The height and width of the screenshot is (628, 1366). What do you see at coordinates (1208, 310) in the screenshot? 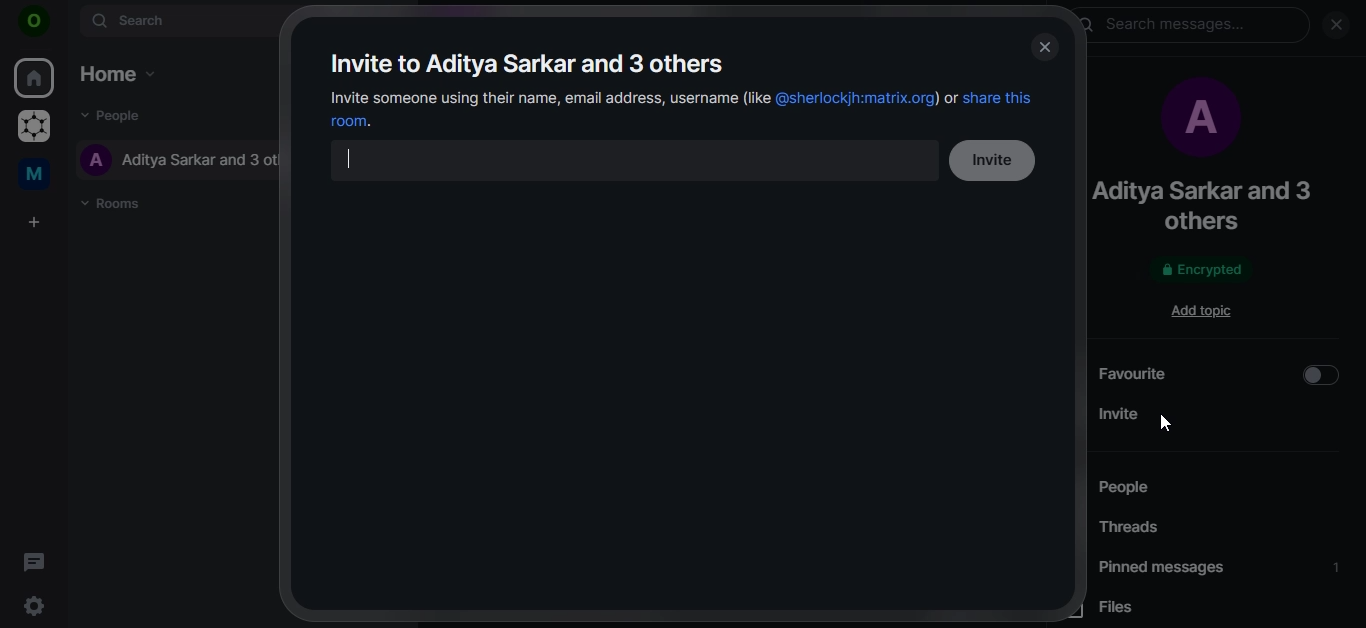
I see `add topic` at bounding box center [1208, 310].